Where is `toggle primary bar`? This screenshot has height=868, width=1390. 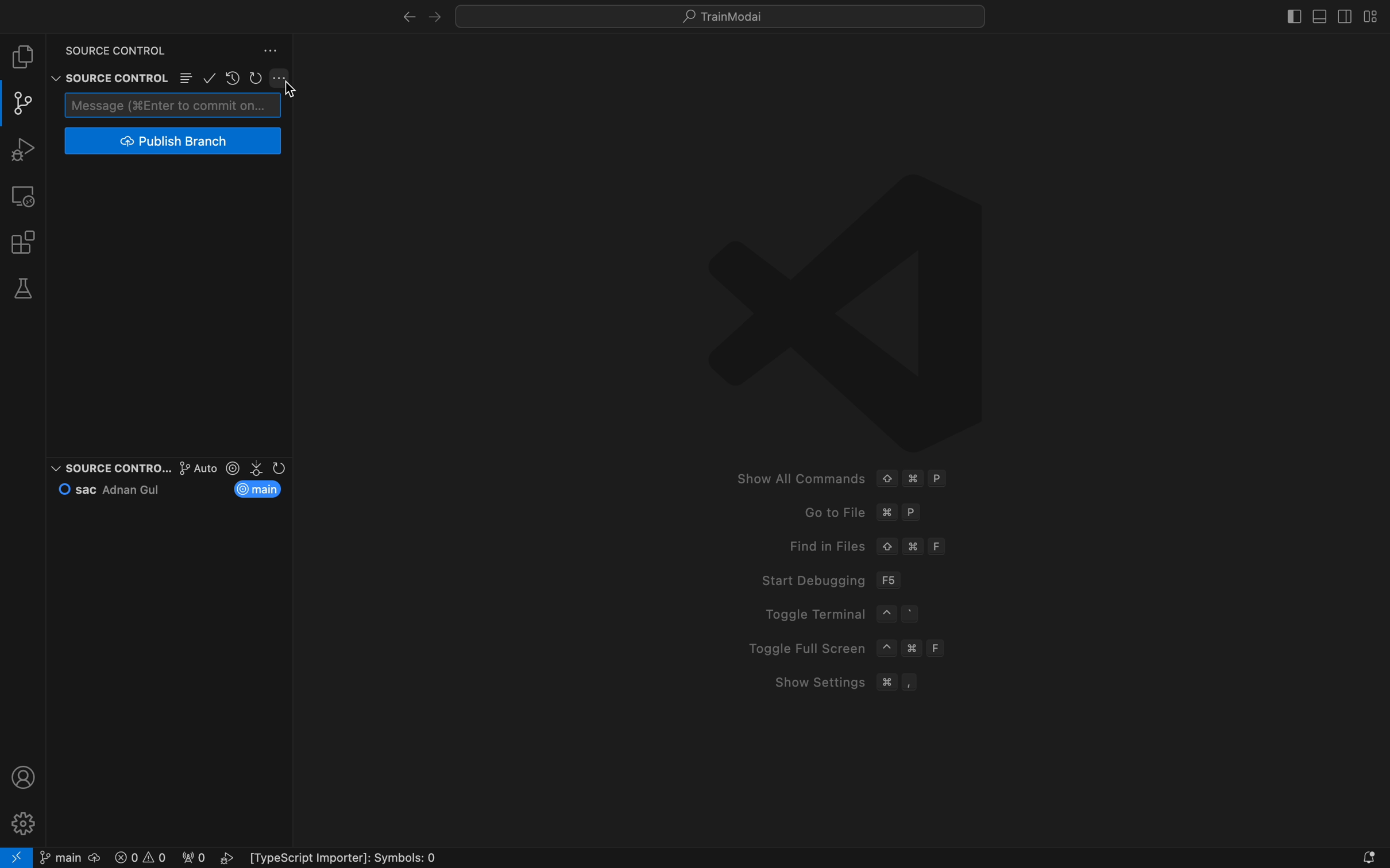 toggle primary bar is located at coordinates (1321, 15).